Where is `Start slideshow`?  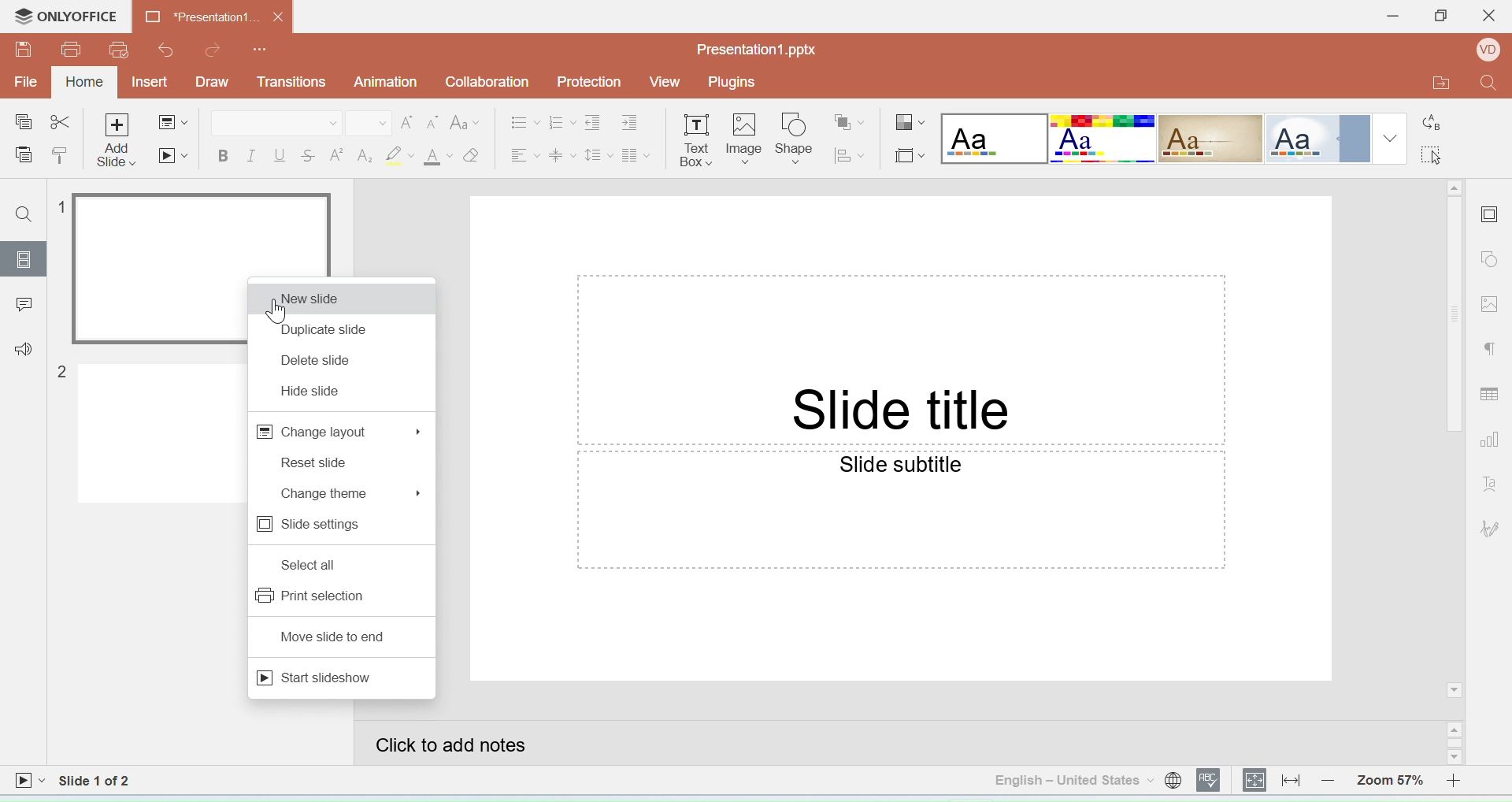 Start slideshow is located at coordinates (29, 782).